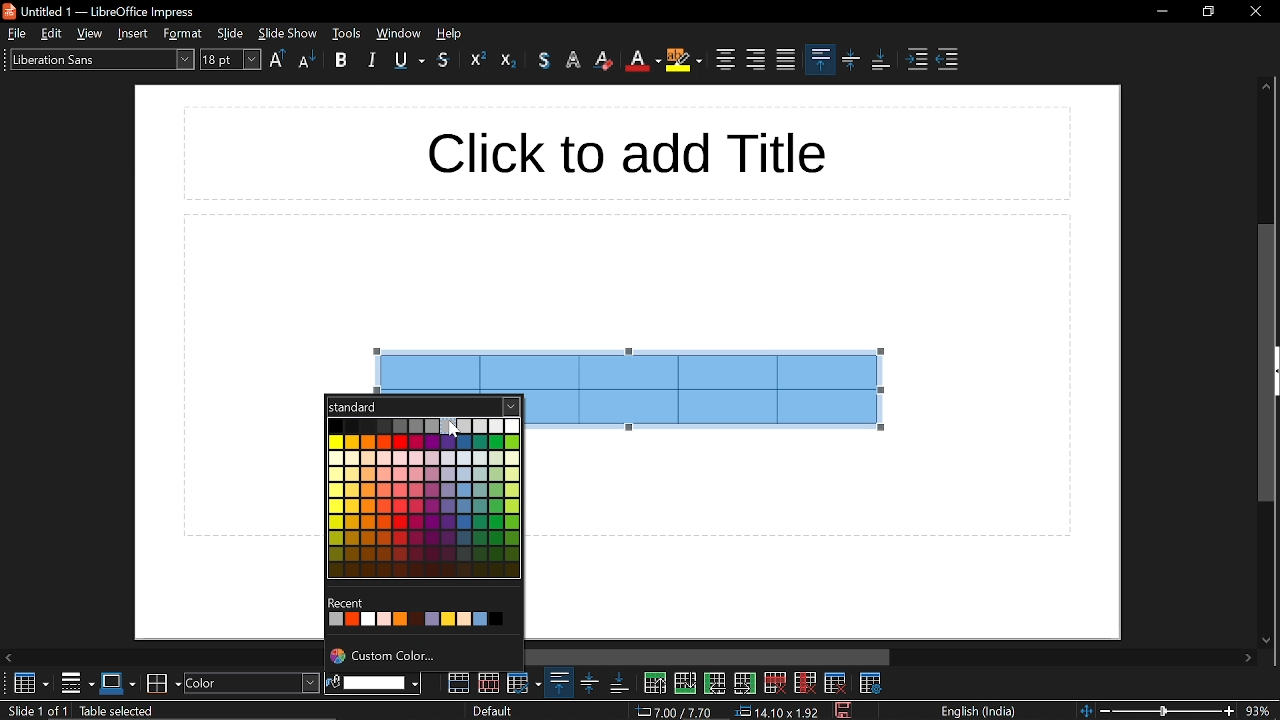  I want to click on help, so click(451, 34).